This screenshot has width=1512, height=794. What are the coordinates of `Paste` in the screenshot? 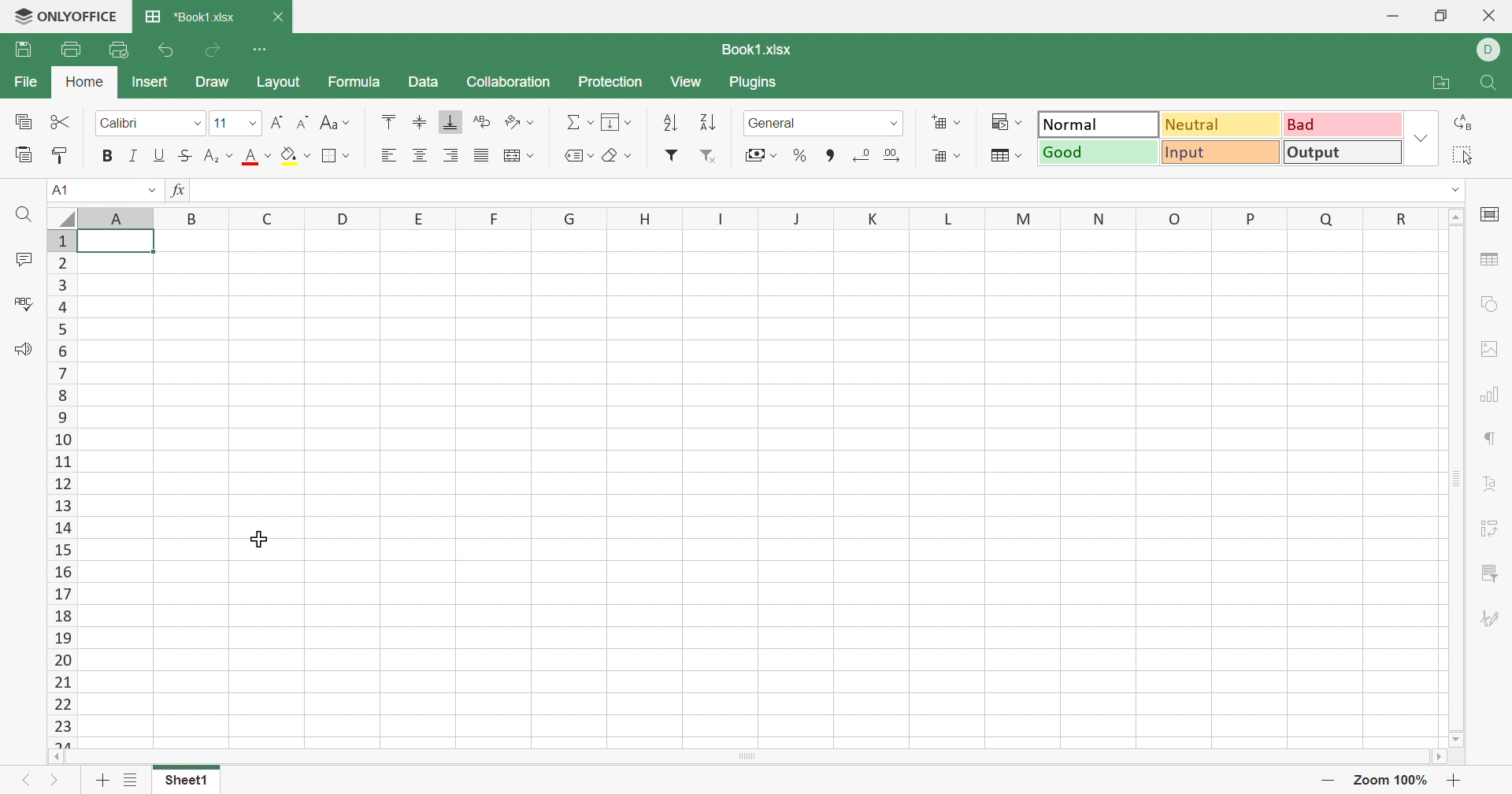 It's located at (22, 153).